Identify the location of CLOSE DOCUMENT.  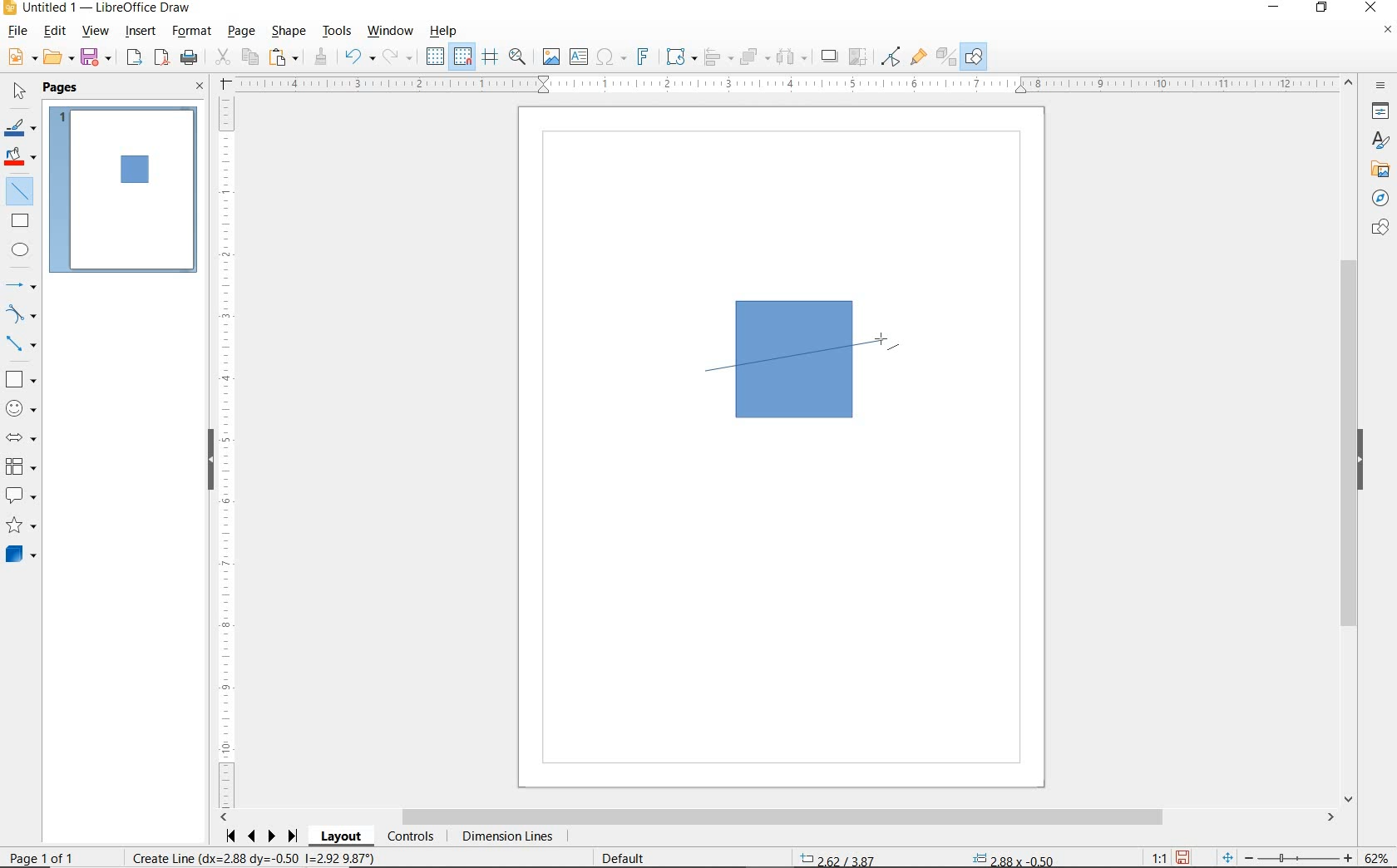
(1387, 31).